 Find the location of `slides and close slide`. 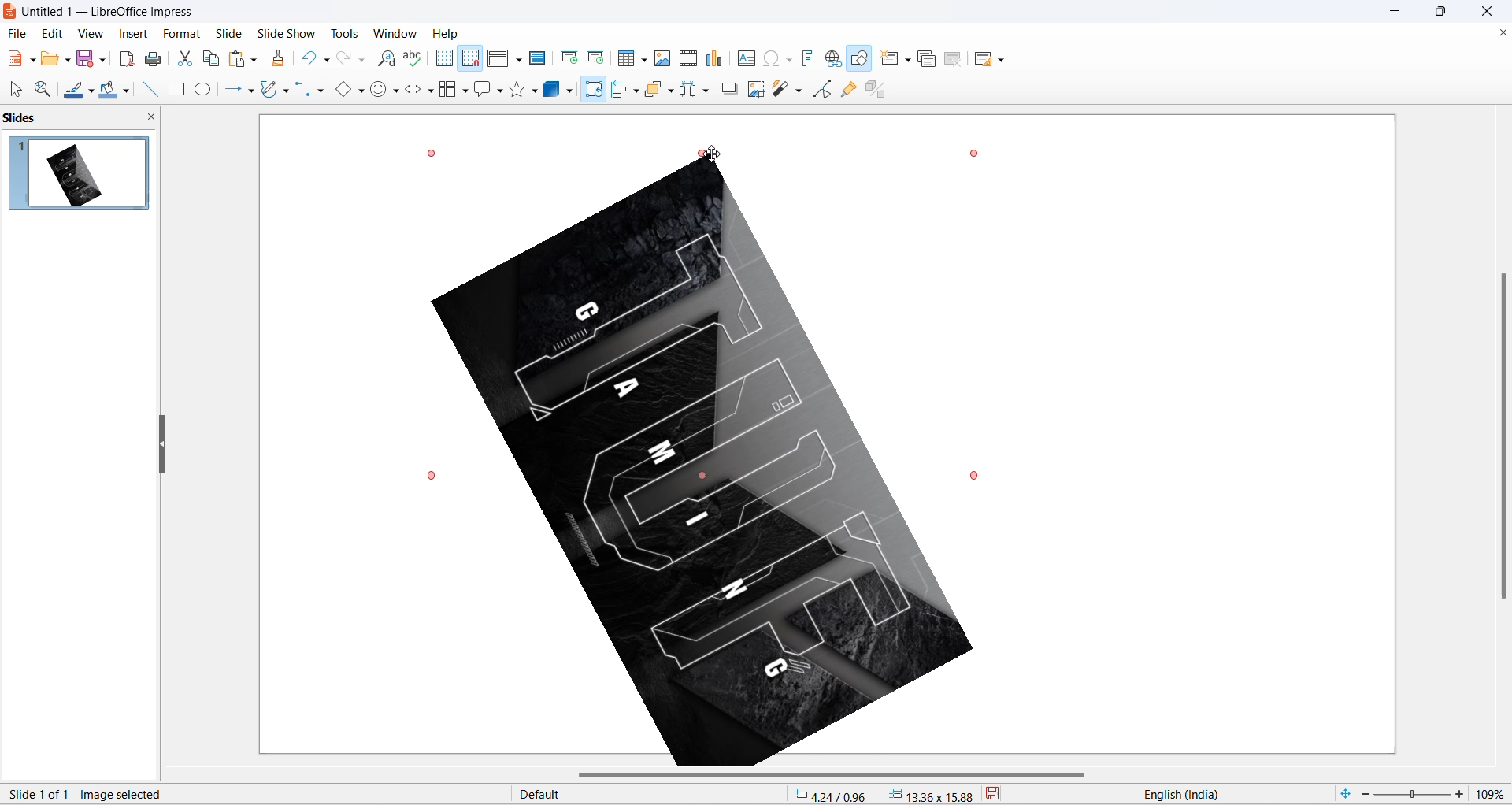

slides and close slide is located at coordinates (83, 118).